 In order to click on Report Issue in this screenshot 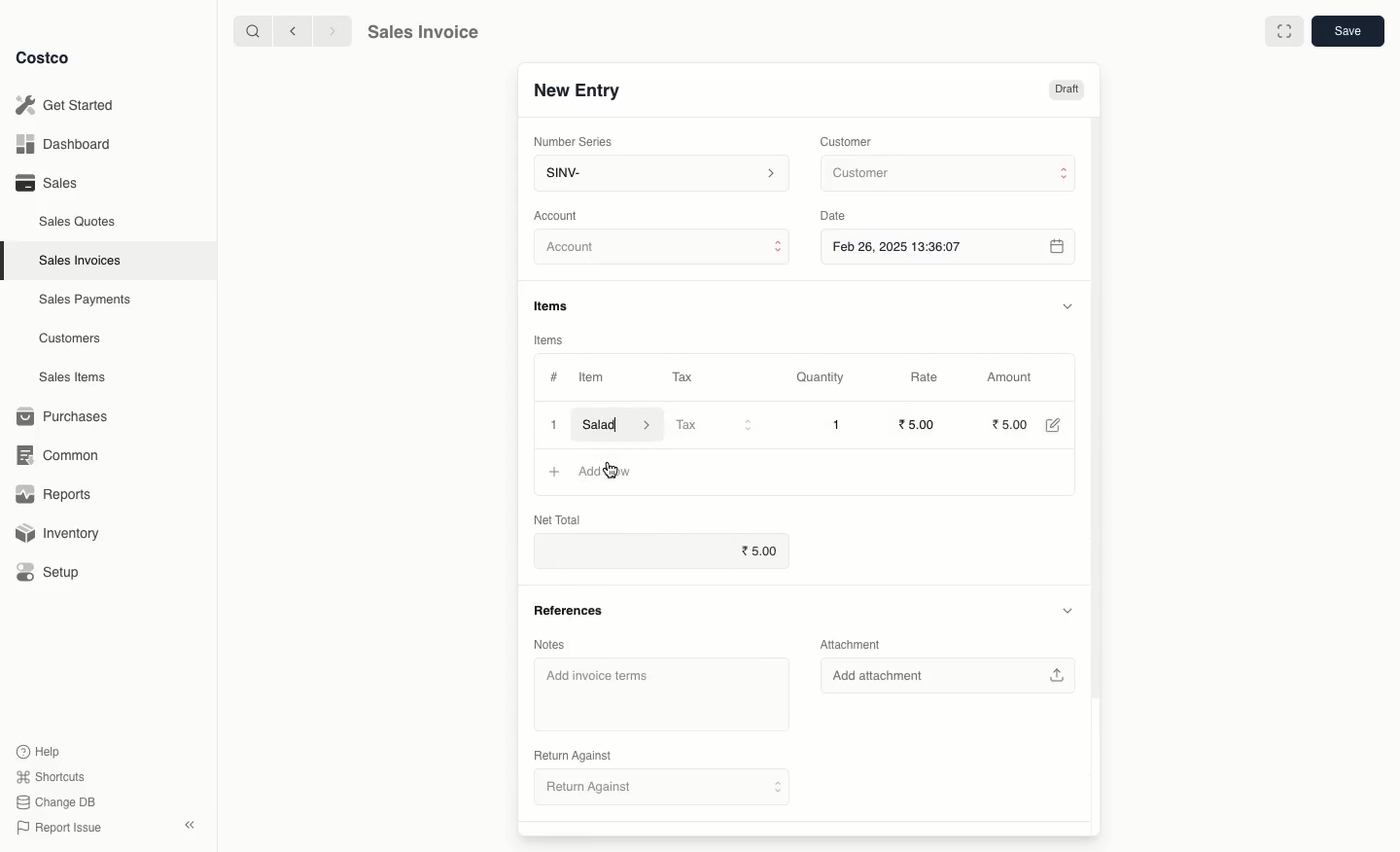, I will do `click(55, 828)`.